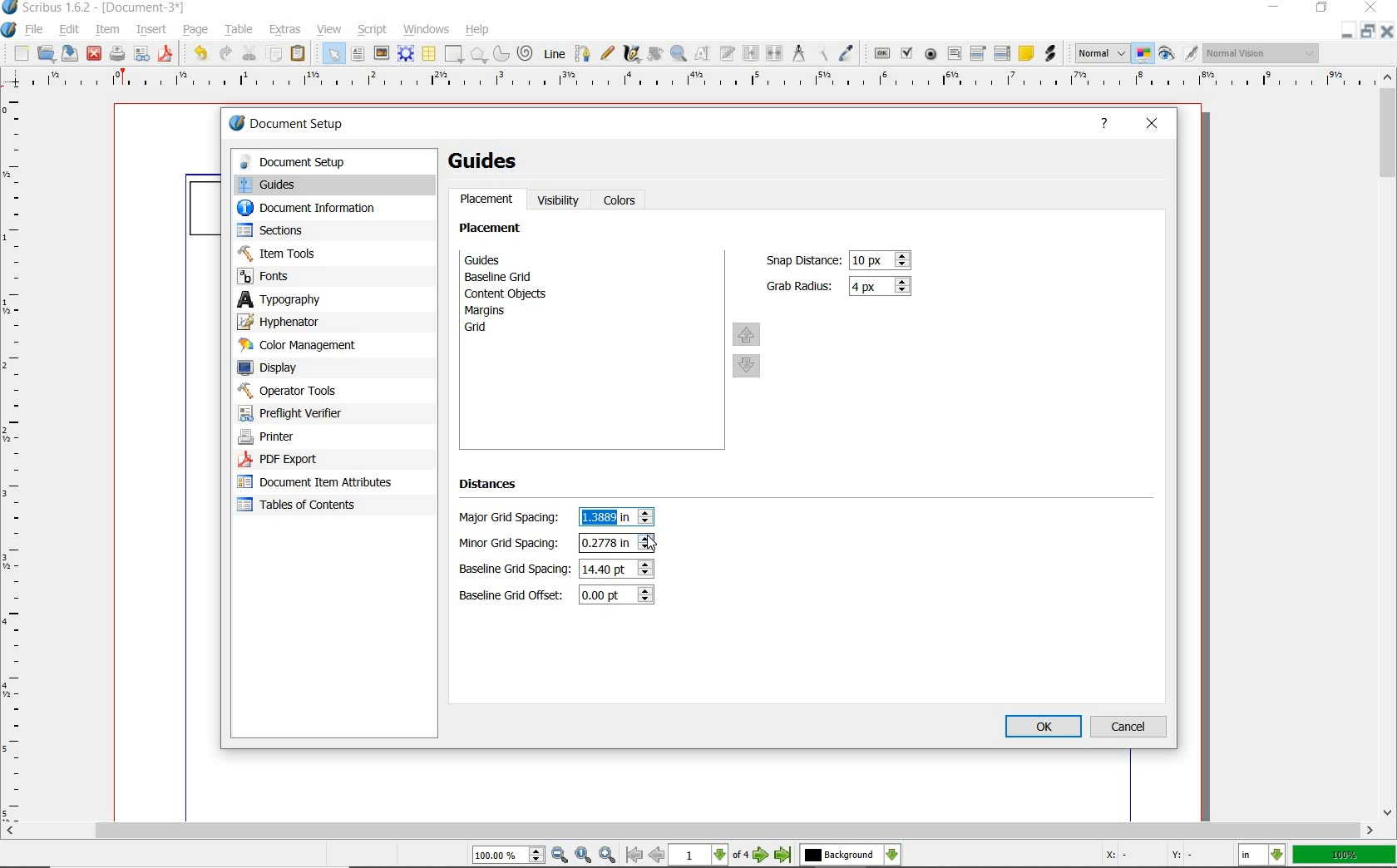 The width and height of the screenshot is (1397, 868). I want to click on content objects, so click(515, 293).